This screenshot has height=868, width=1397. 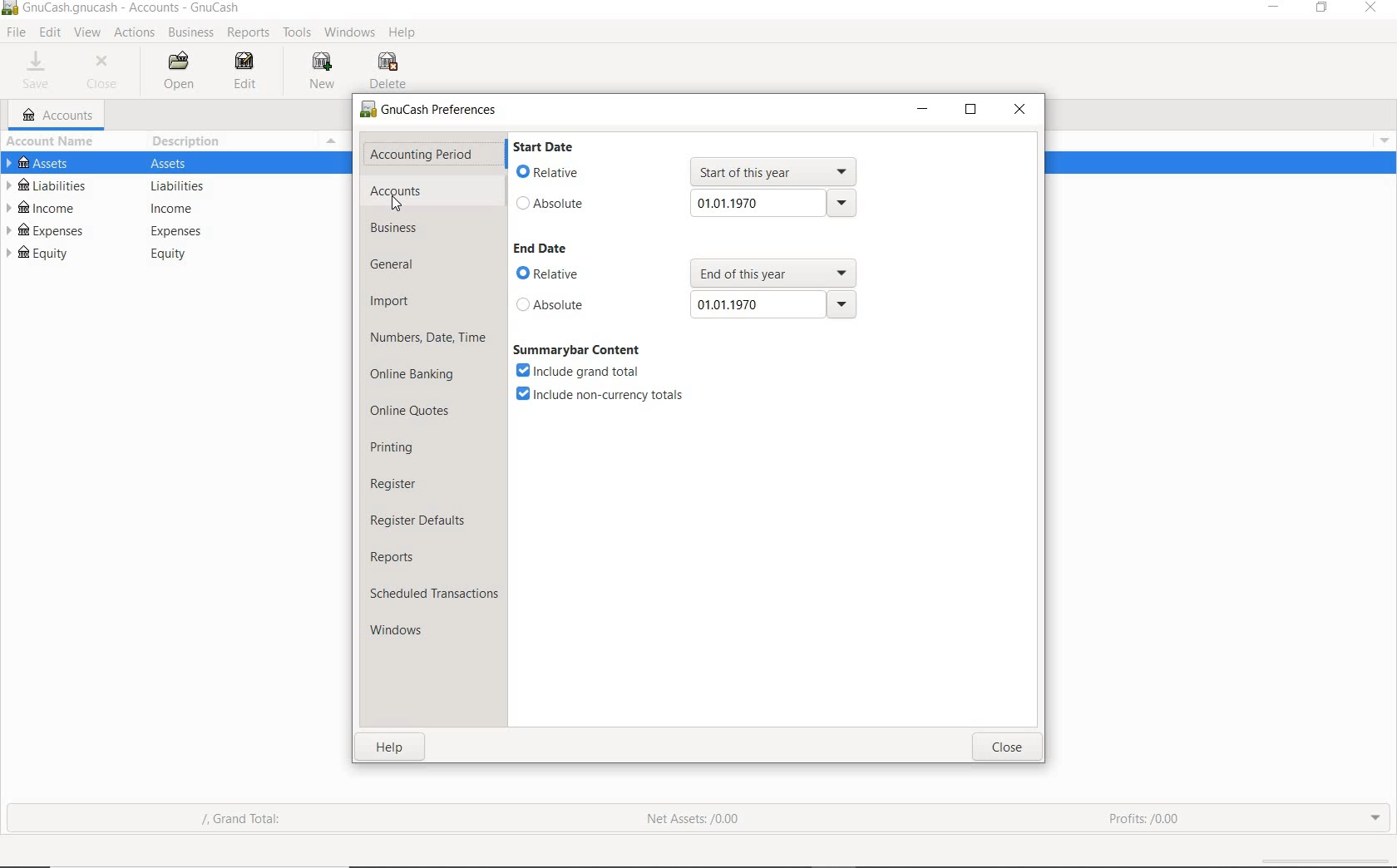 What do you see at coordinates (59, 116) in the screenshot?
I see `ACCOUNTS` at bounding box center [59, 116].